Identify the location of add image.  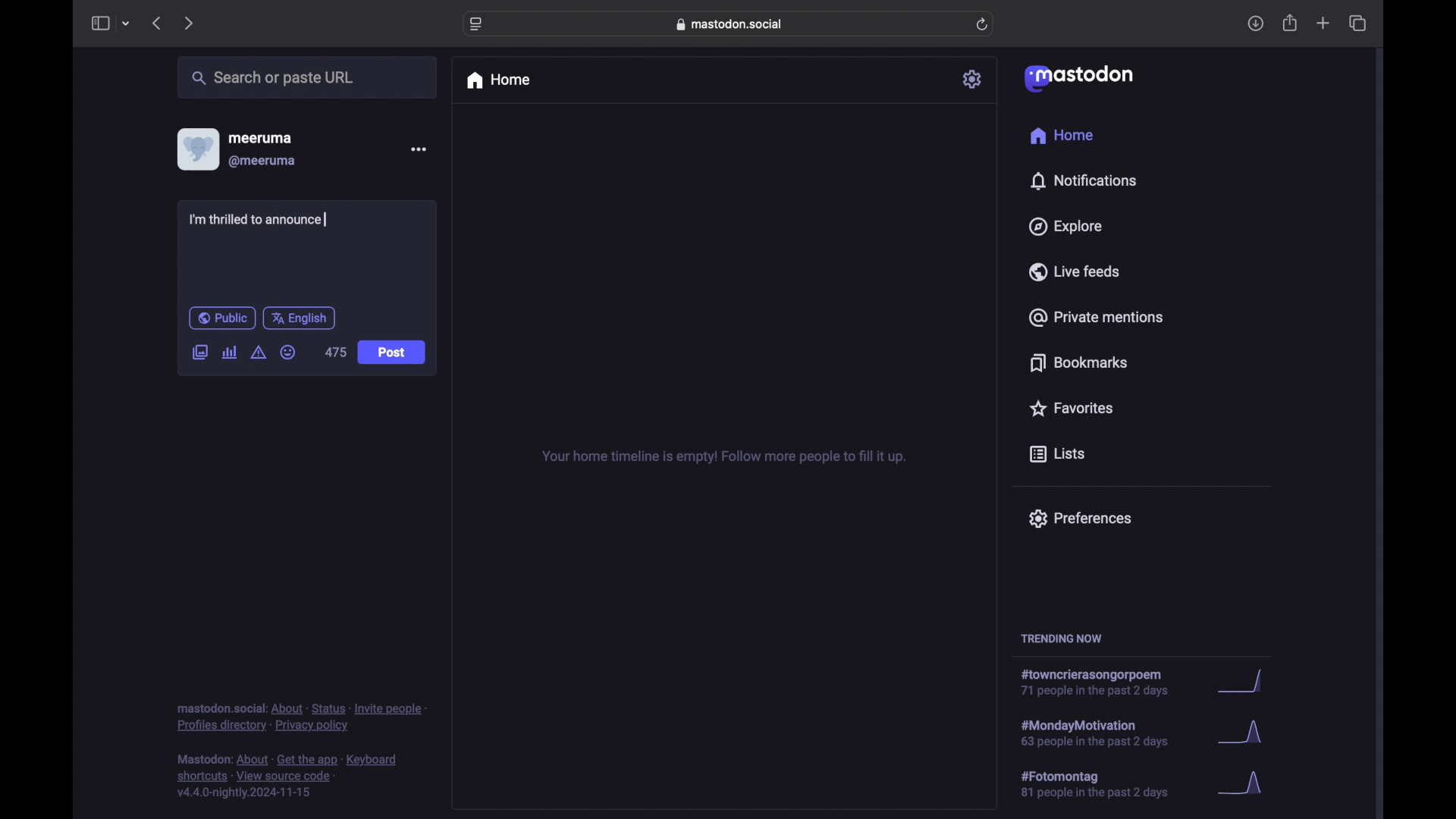
(199, 353).